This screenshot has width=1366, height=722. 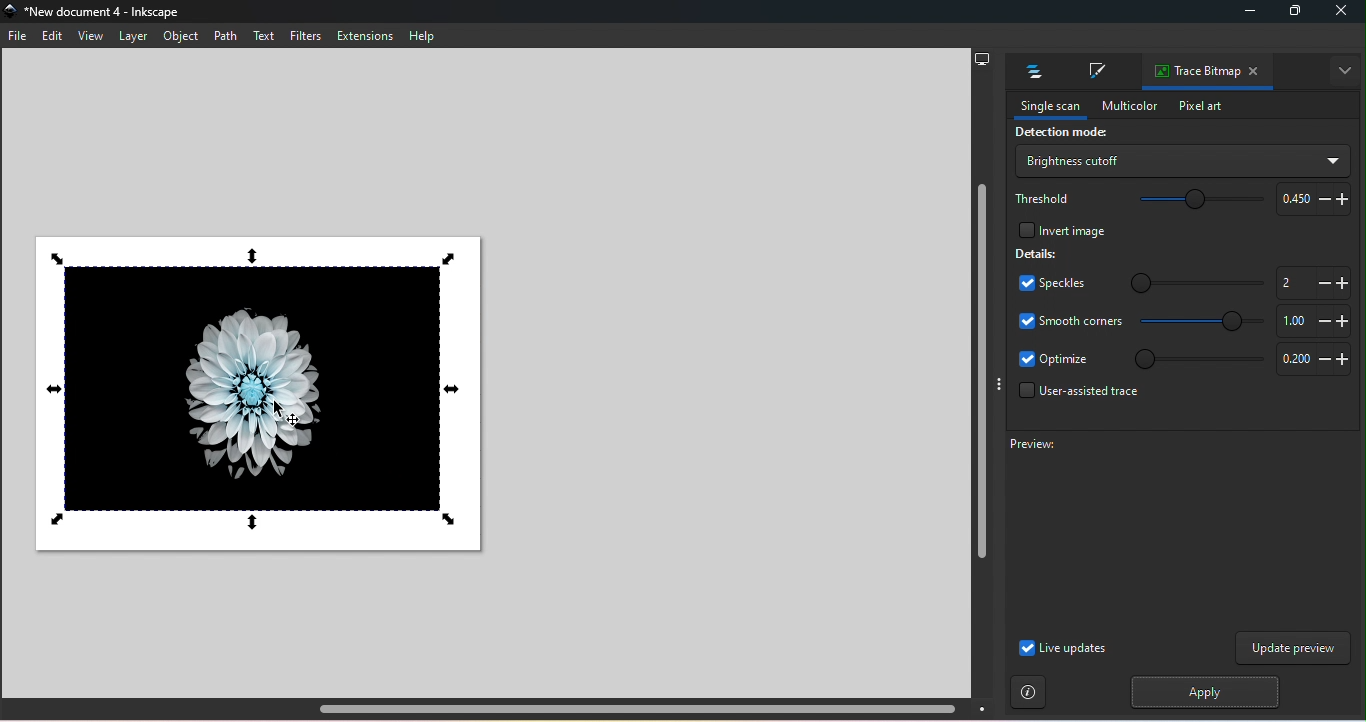 I want to click on Text, so click(x=265, y=36).